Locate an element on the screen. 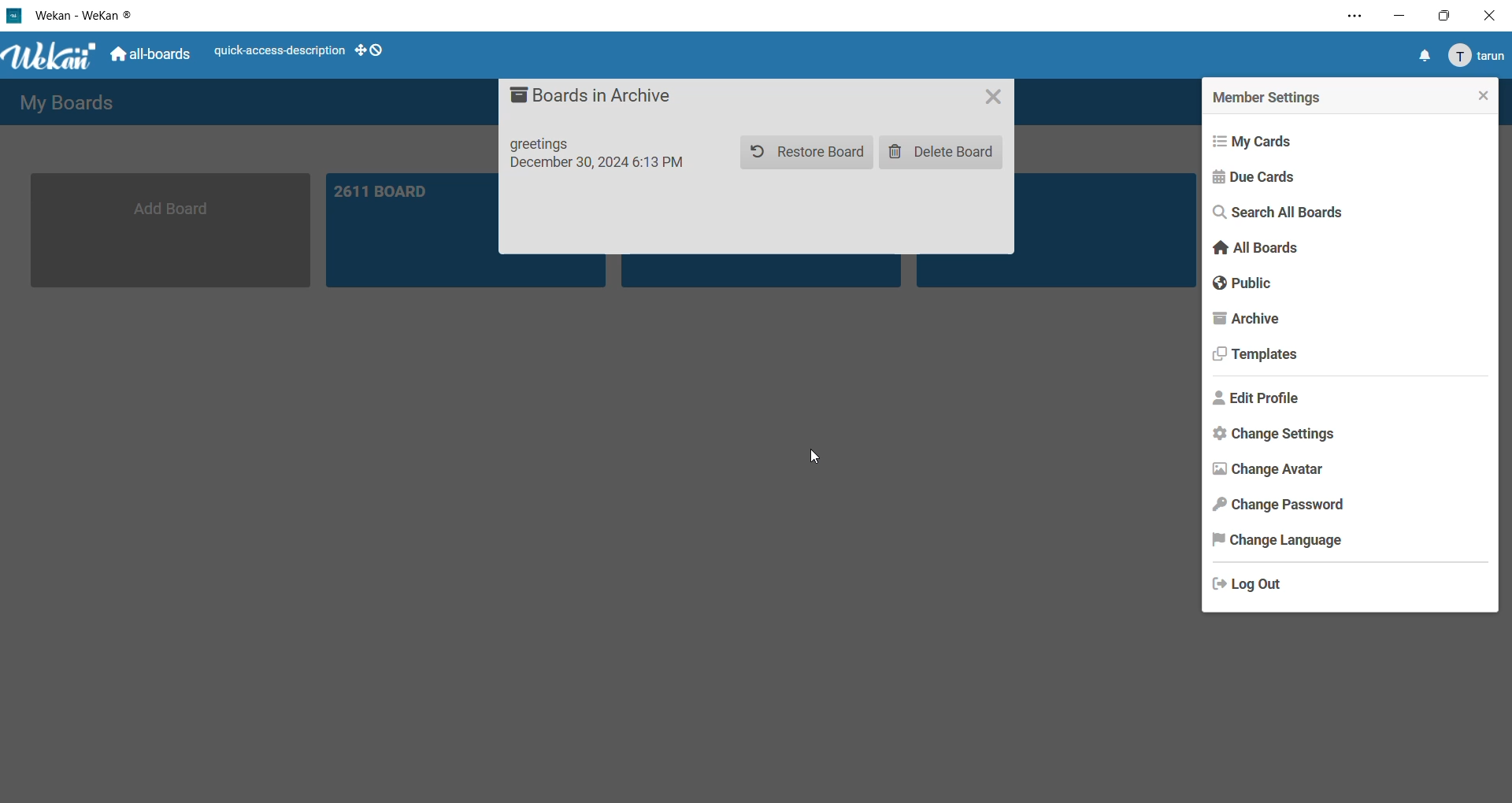 The width and height of the screenshot is (1512, 803). close is located at coordinates (1493, 14).